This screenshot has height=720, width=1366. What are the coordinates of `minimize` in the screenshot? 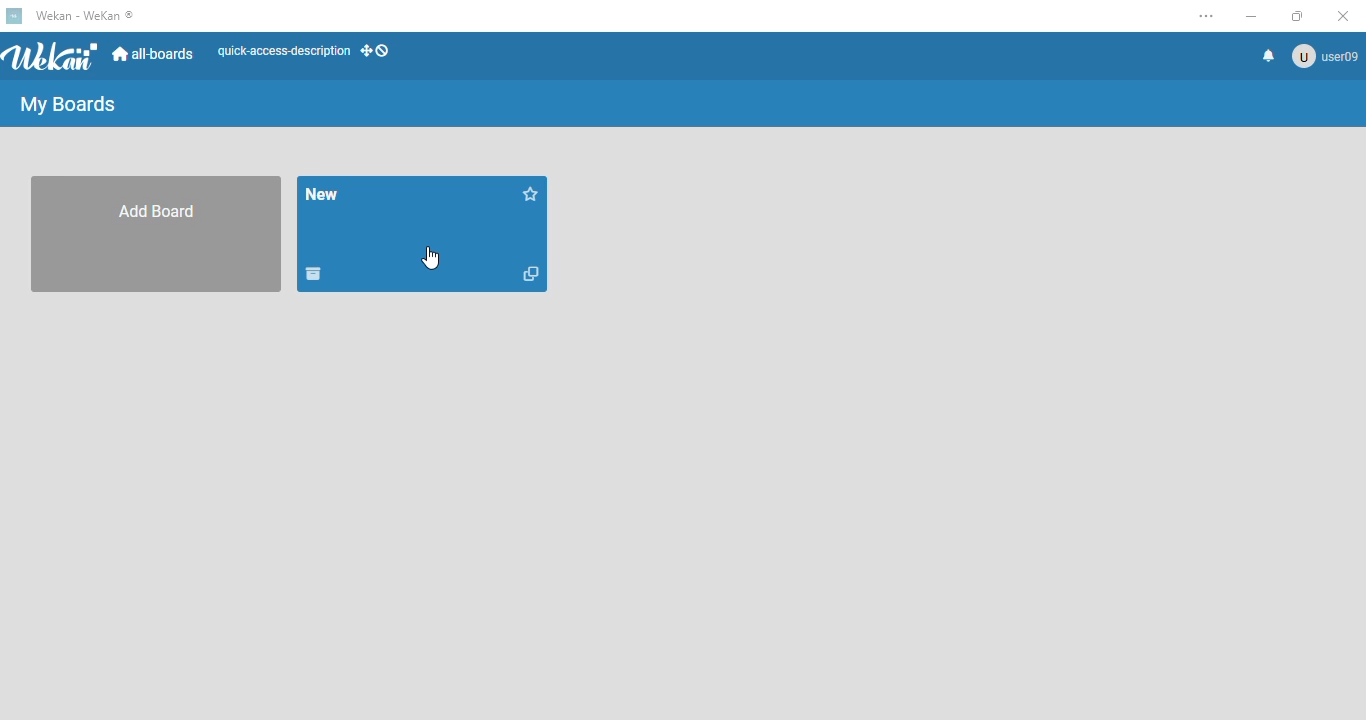 It's located at (1252, 16).